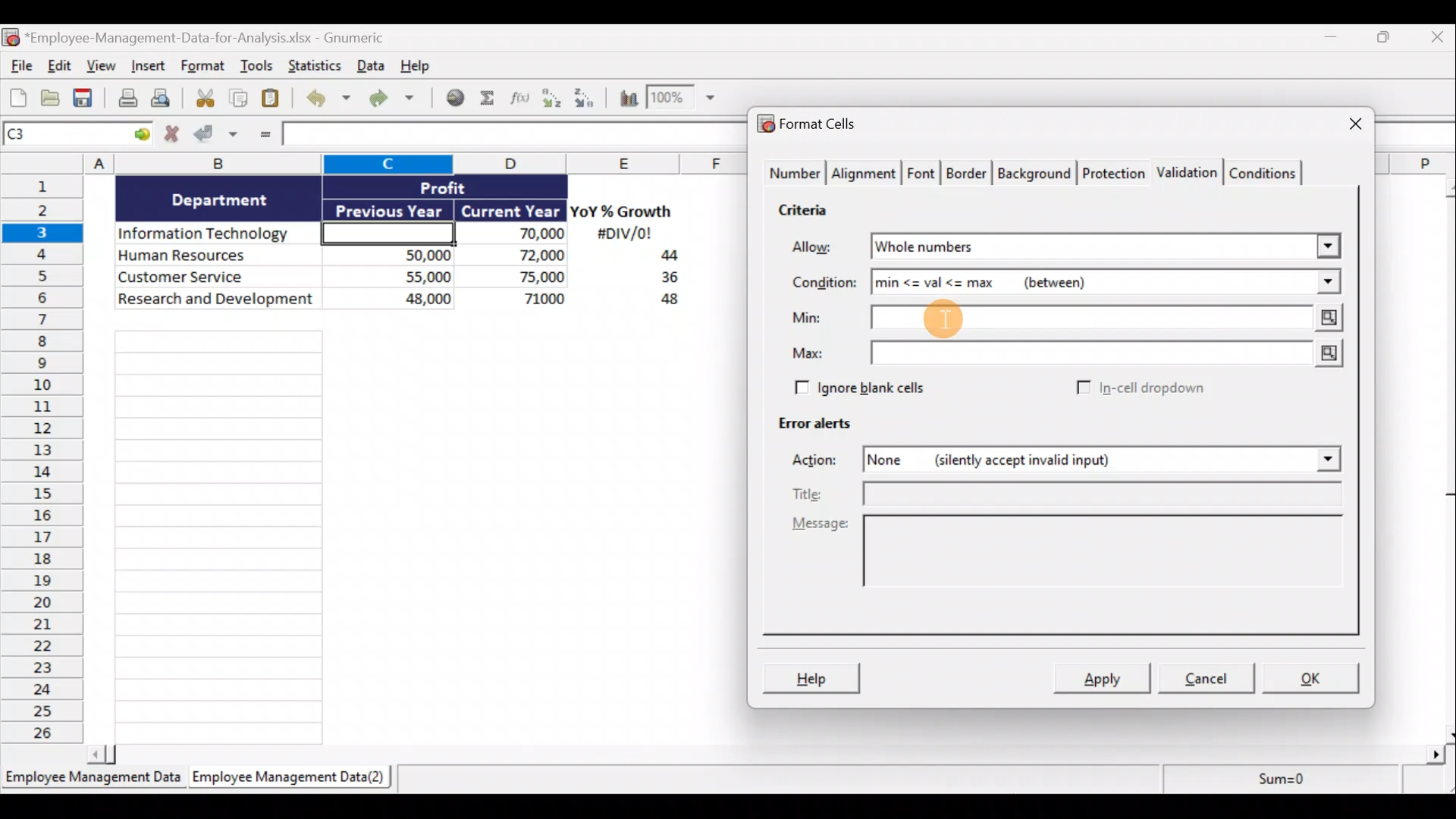 The width and height of the screenshot is (1456, 819). What do you see at coordinates (811, 126) in the screenshot?
I see `Format cells` at bounding box center [811, 126].